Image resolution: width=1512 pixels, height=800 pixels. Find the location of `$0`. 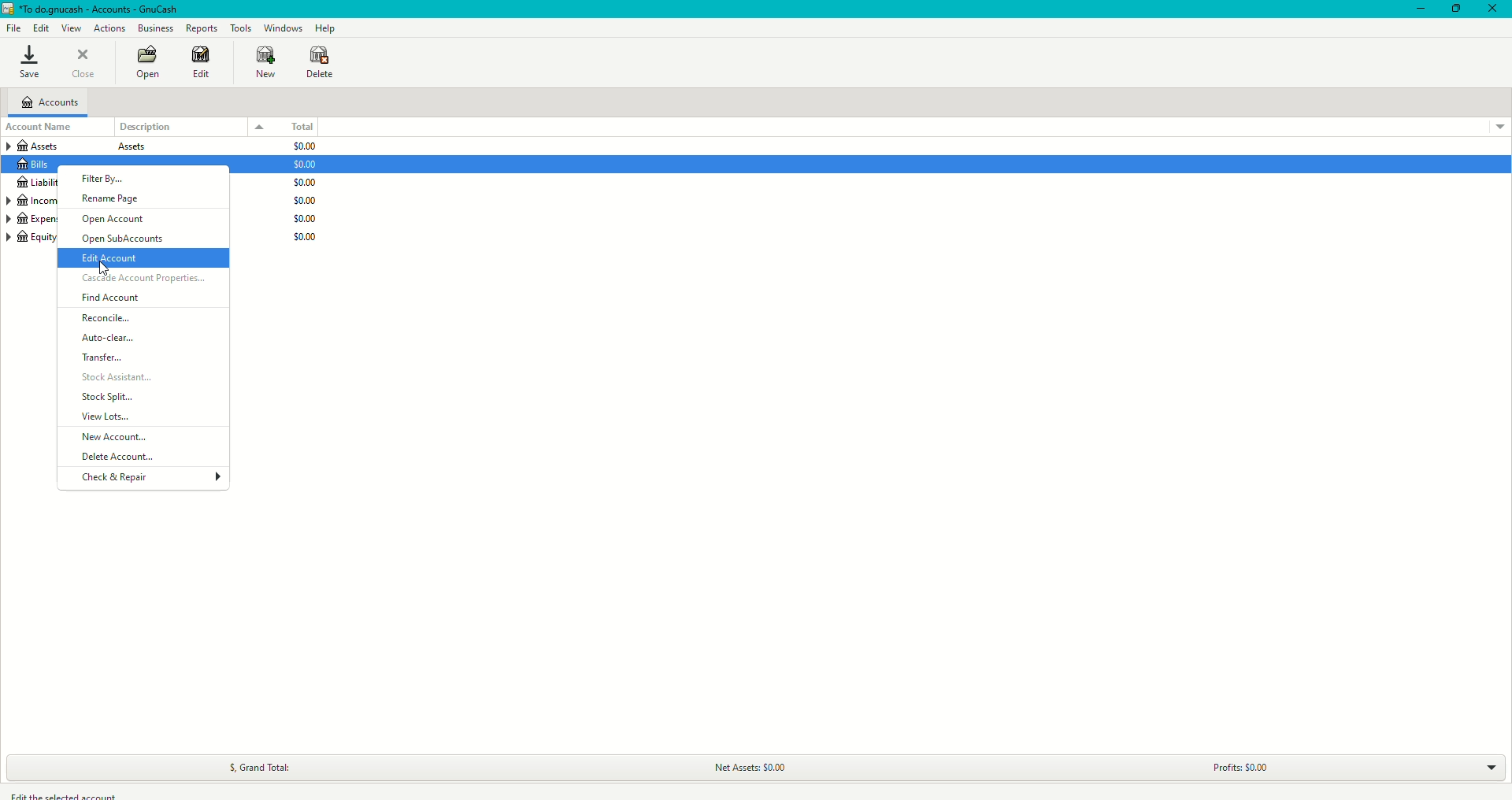

$0 is located at coordinates (312, 198).